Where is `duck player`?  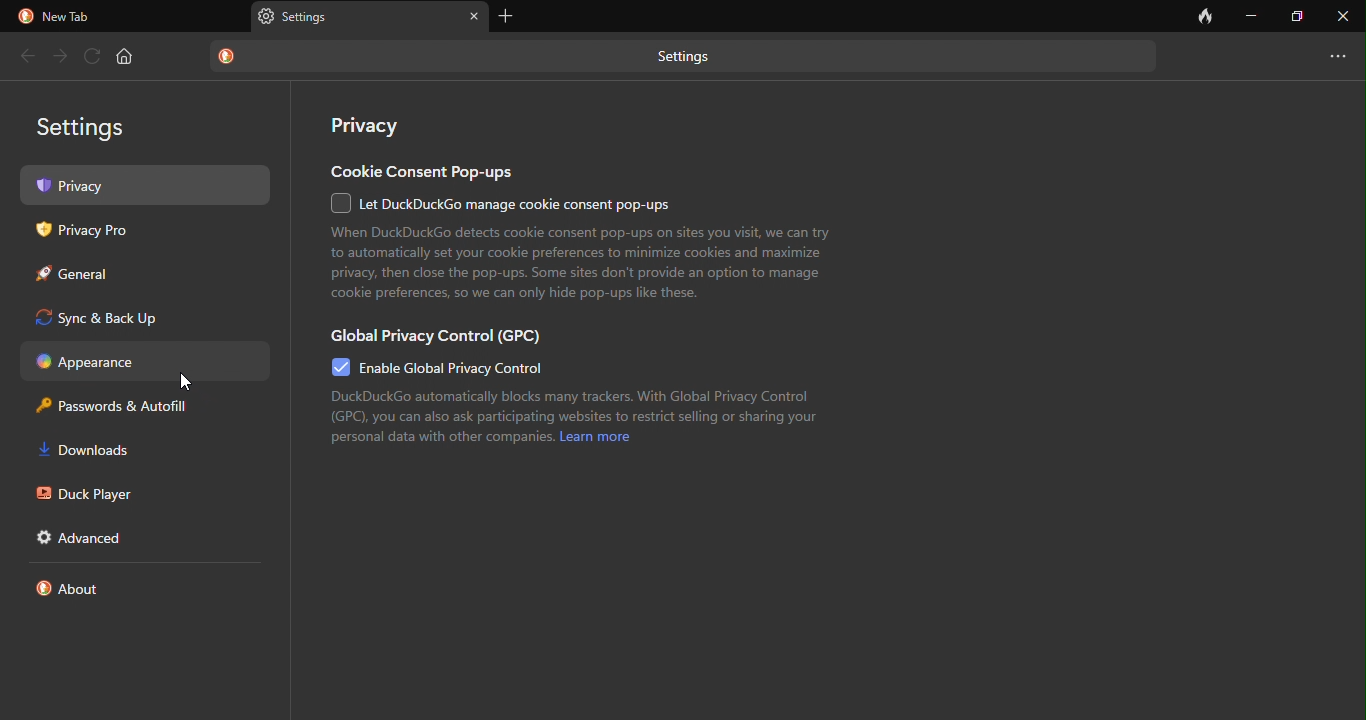 duck player is located at coordinates (88, 494).